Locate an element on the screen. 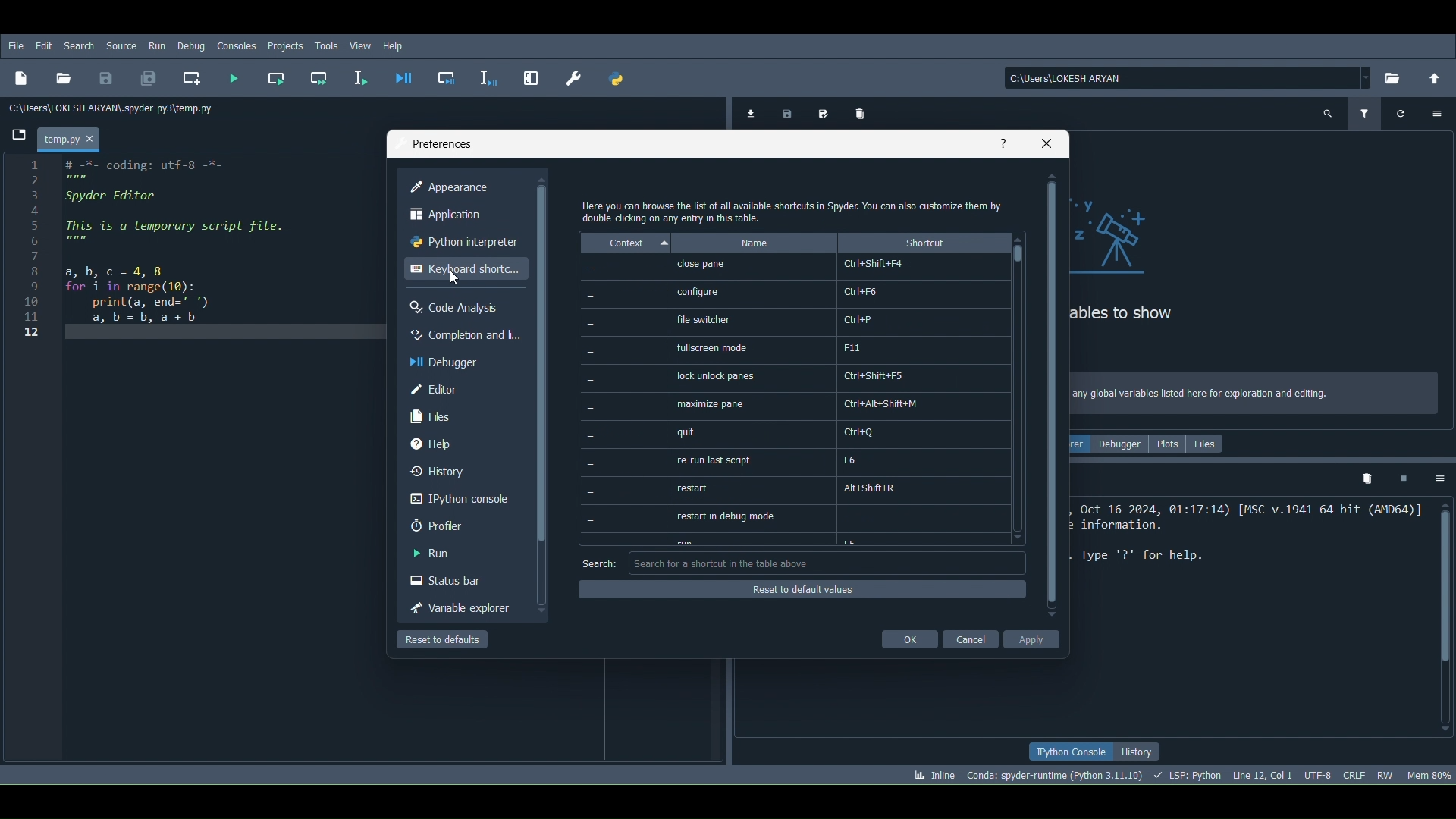 The image size is (1456, 819). Cancel is located at coordinates (968, 637).